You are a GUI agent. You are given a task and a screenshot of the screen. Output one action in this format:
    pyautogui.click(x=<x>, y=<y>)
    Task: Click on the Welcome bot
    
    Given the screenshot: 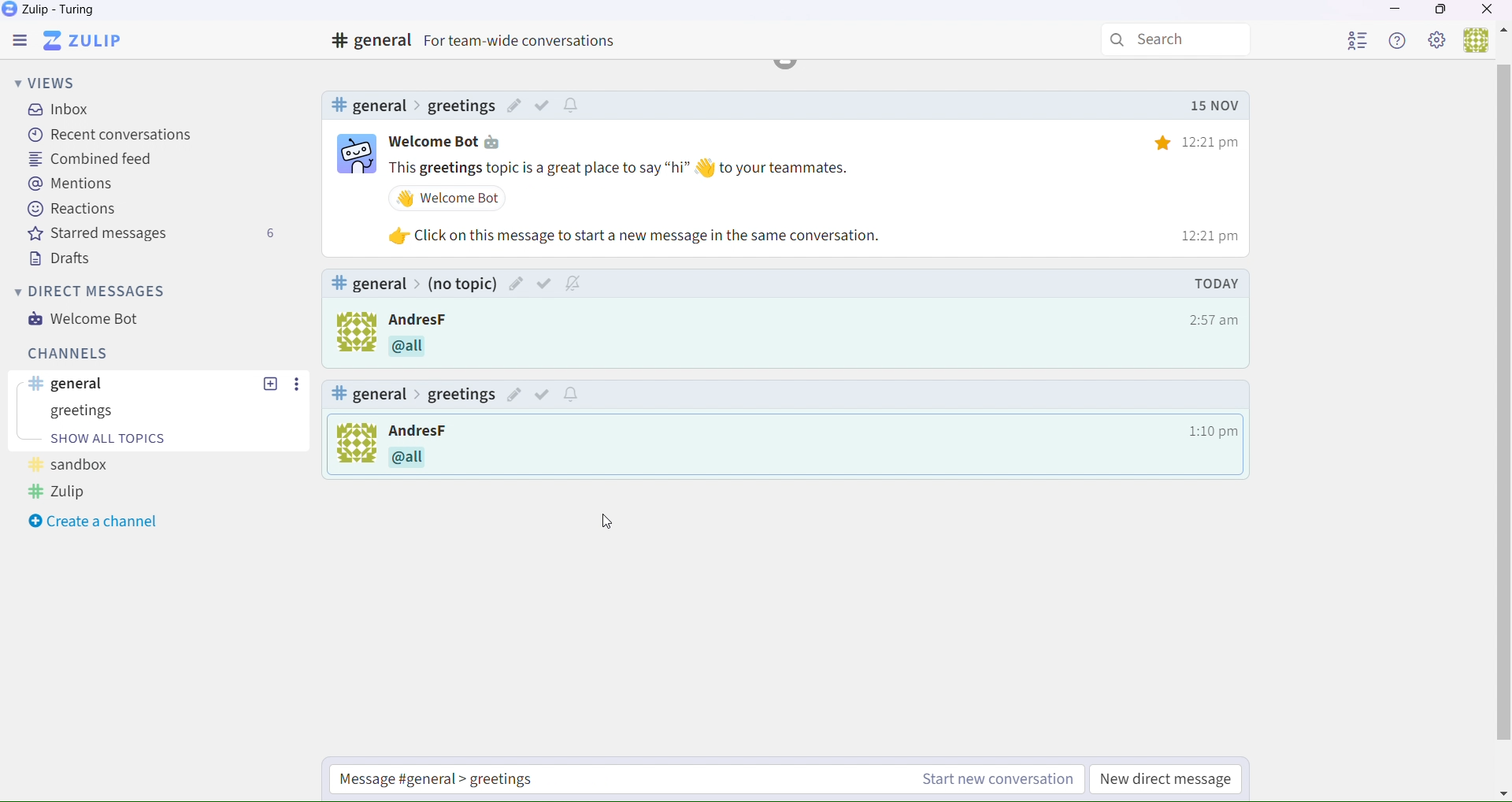 What is the action you would take?
    pyautogui.click(x=92, y=322)
    